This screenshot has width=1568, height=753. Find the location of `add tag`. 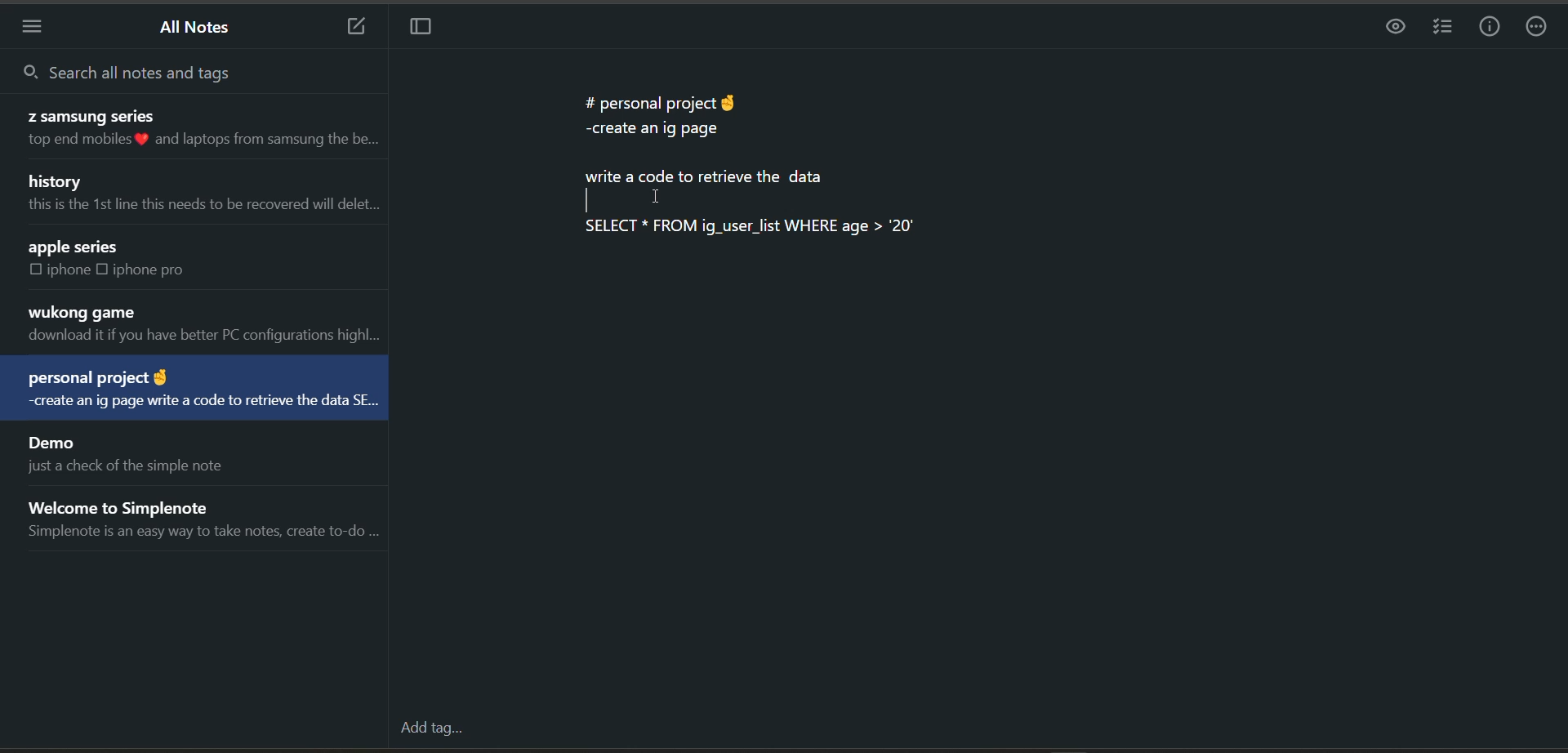

add tag is located at coordinates (429, 730).